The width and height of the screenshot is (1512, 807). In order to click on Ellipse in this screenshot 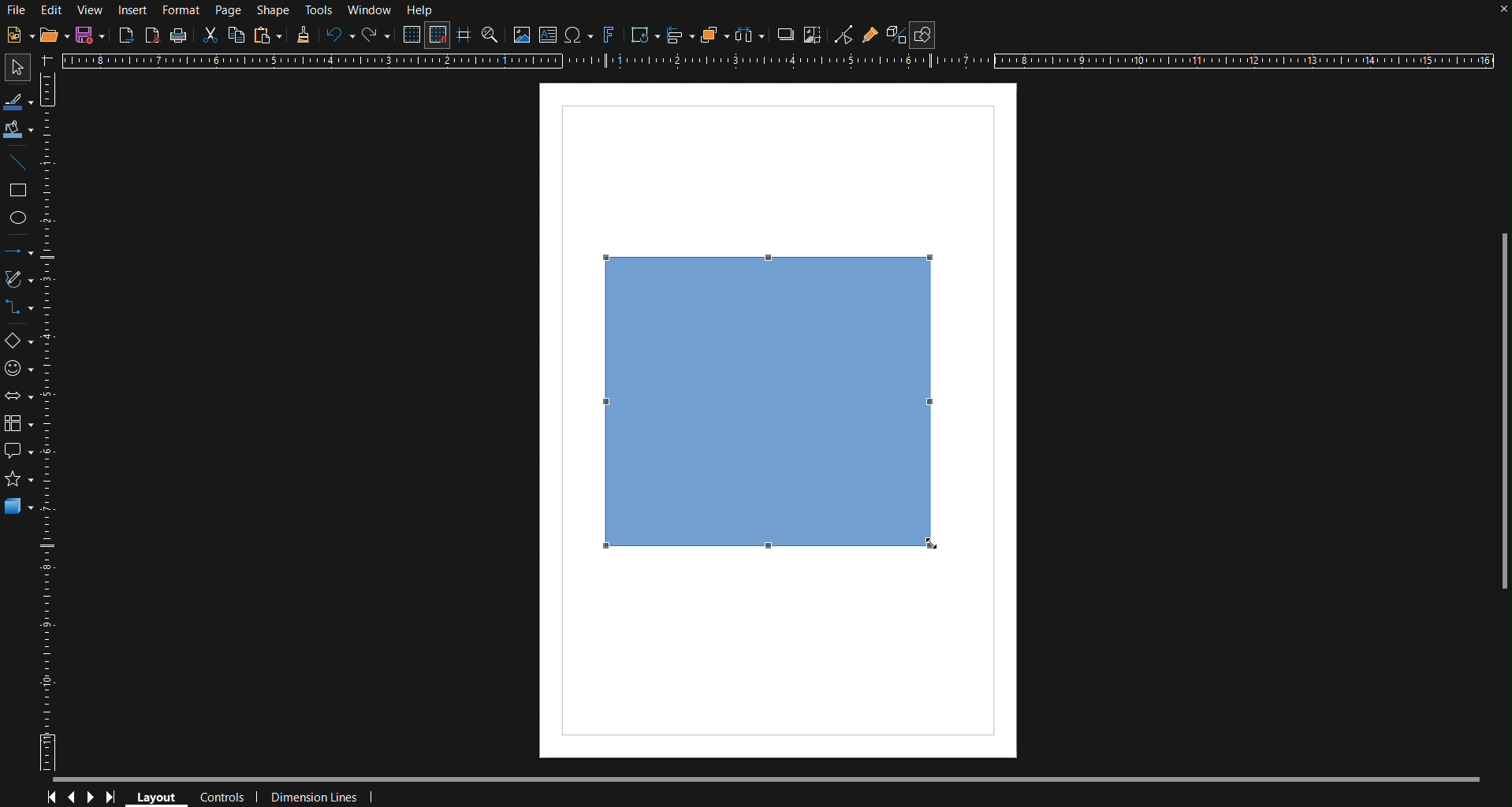, I will do `click(20, 222)`.